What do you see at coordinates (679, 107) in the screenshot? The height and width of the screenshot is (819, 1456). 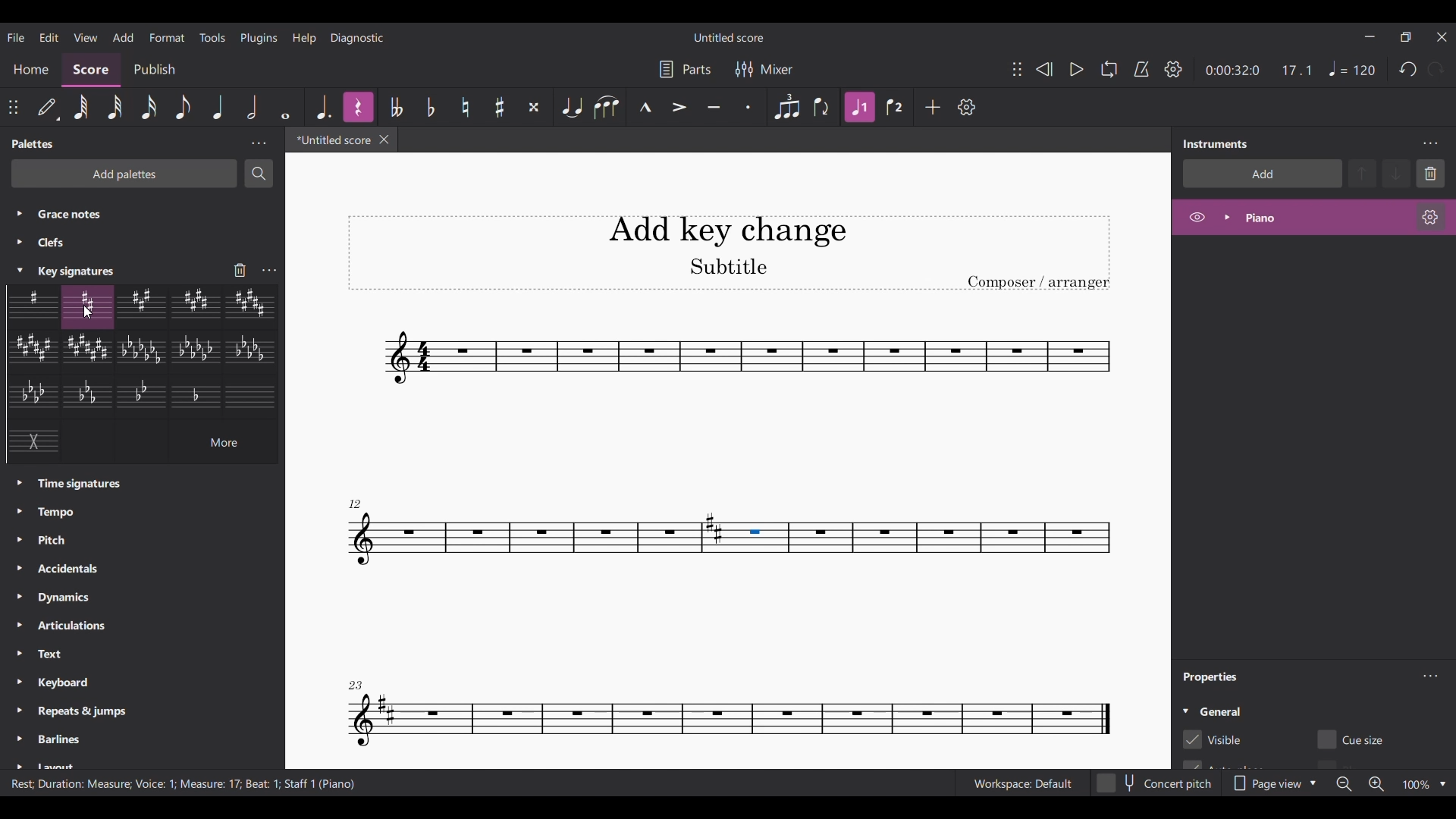 I see `Accent` at bounding box center [679, 107].